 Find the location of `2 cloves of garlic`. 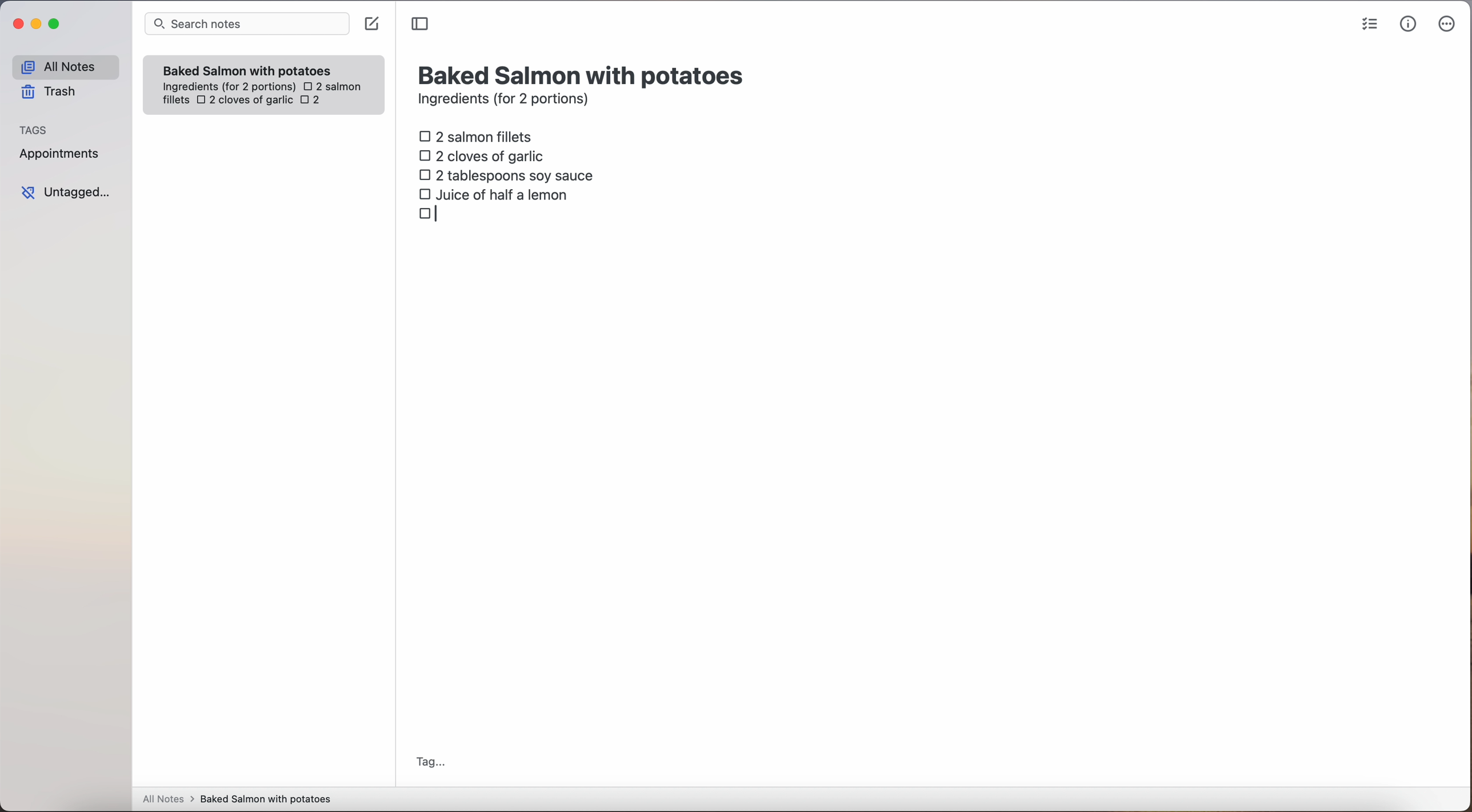

2 cloves of garlic is located at coordinates (245, 101).